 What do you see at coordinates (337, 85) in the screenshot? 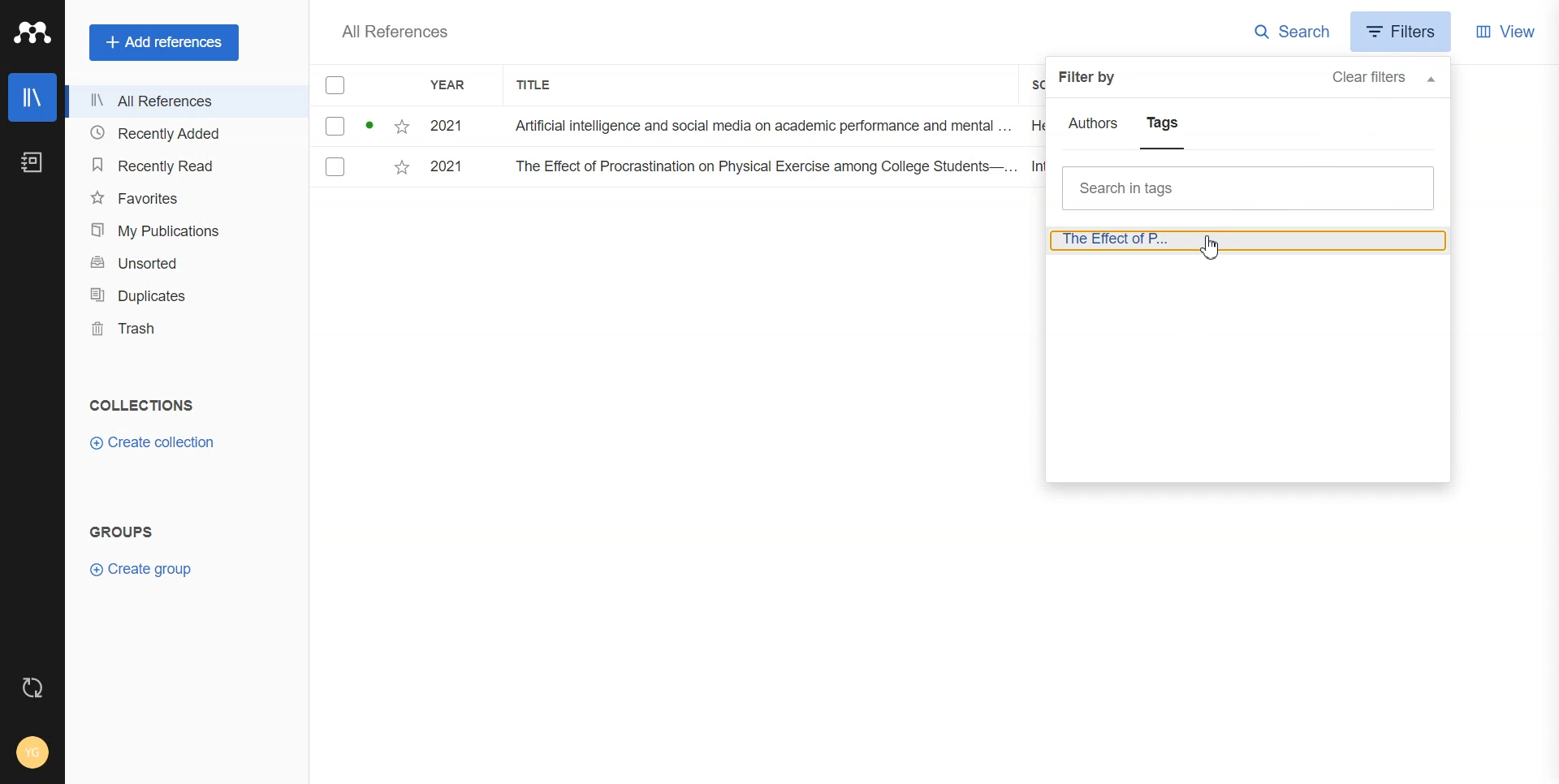
I see `Checkmarks` at bounding box center [337, 85].